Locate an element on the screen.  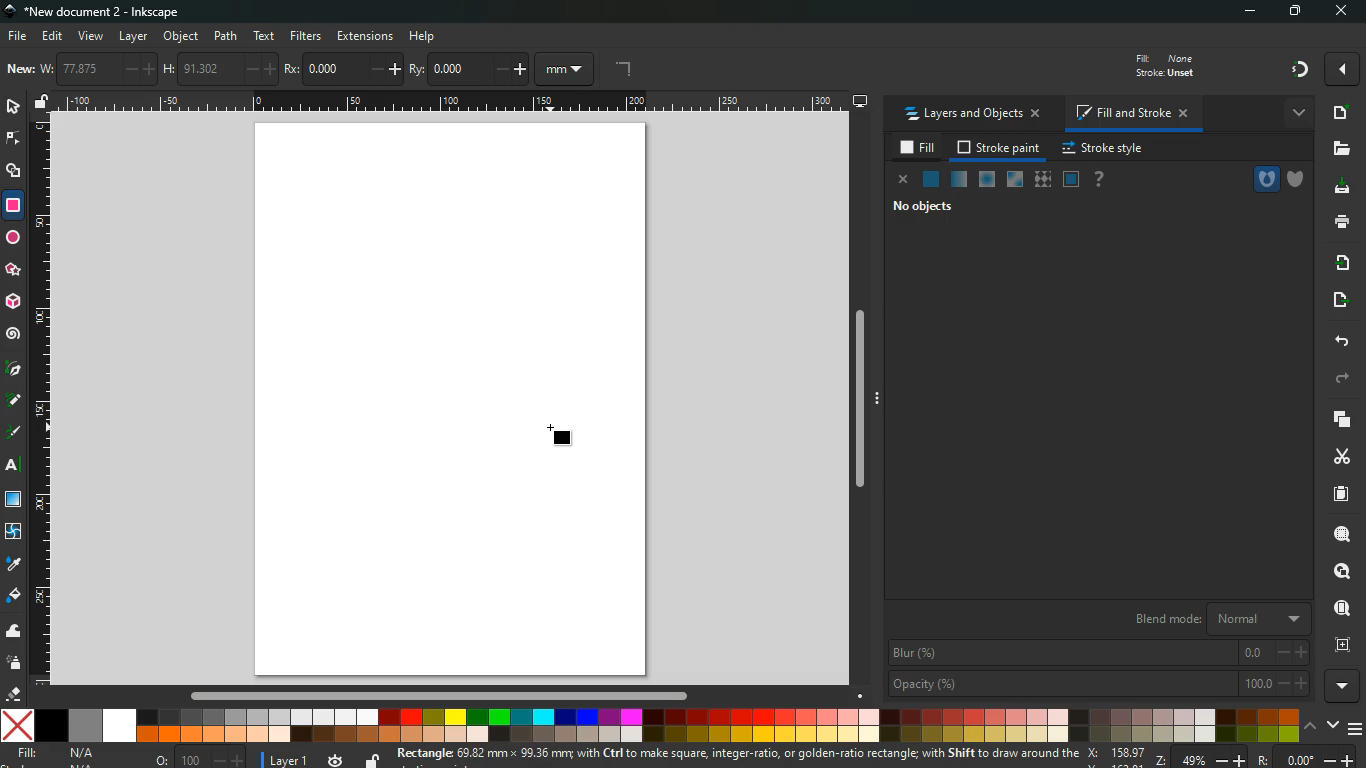
drop is located at coordinates (13, 567).